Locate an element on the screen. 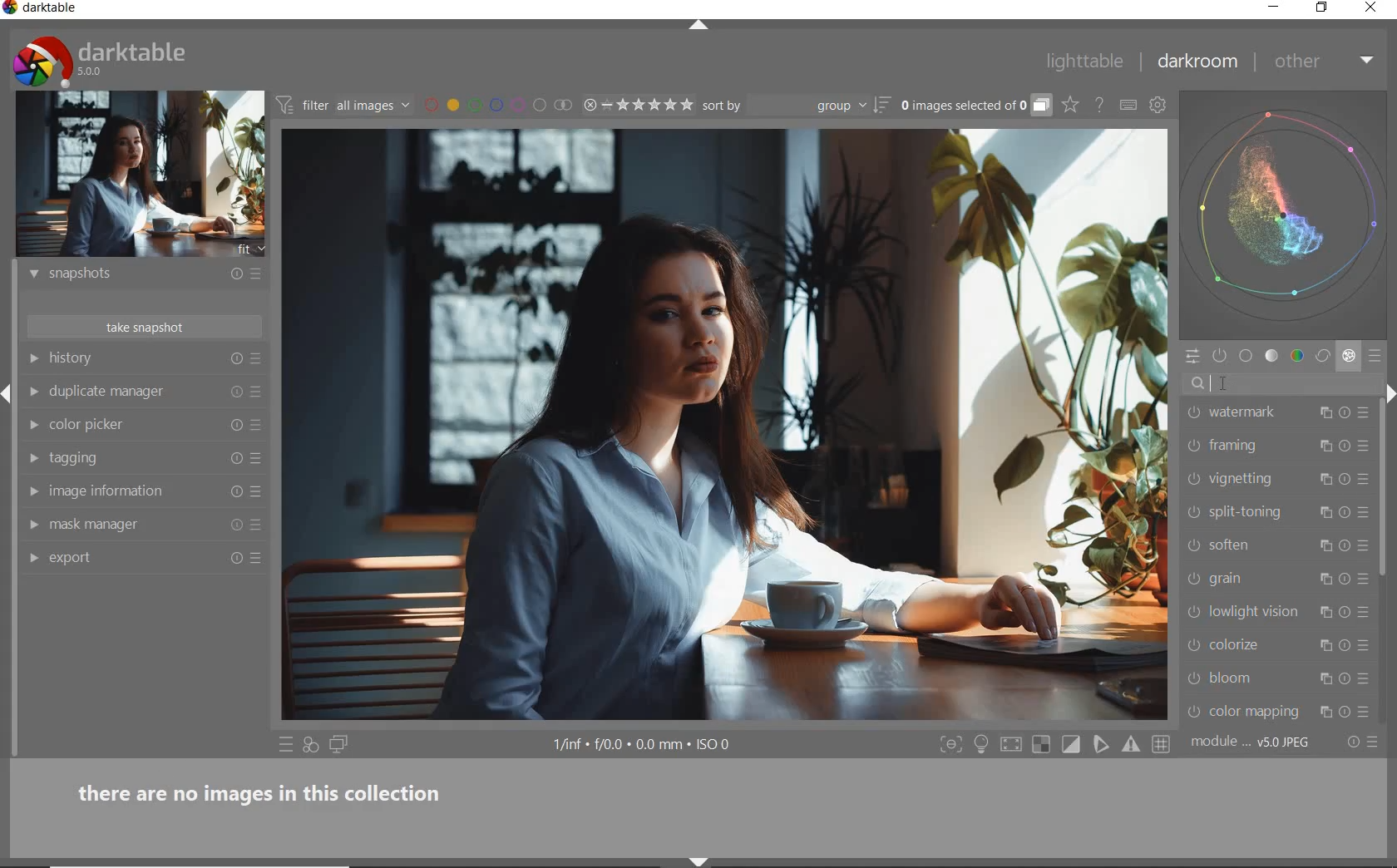 The width and height of the screenshot is (1397, 868). shift+ctrl+r is located at coordinates (1389, 394).